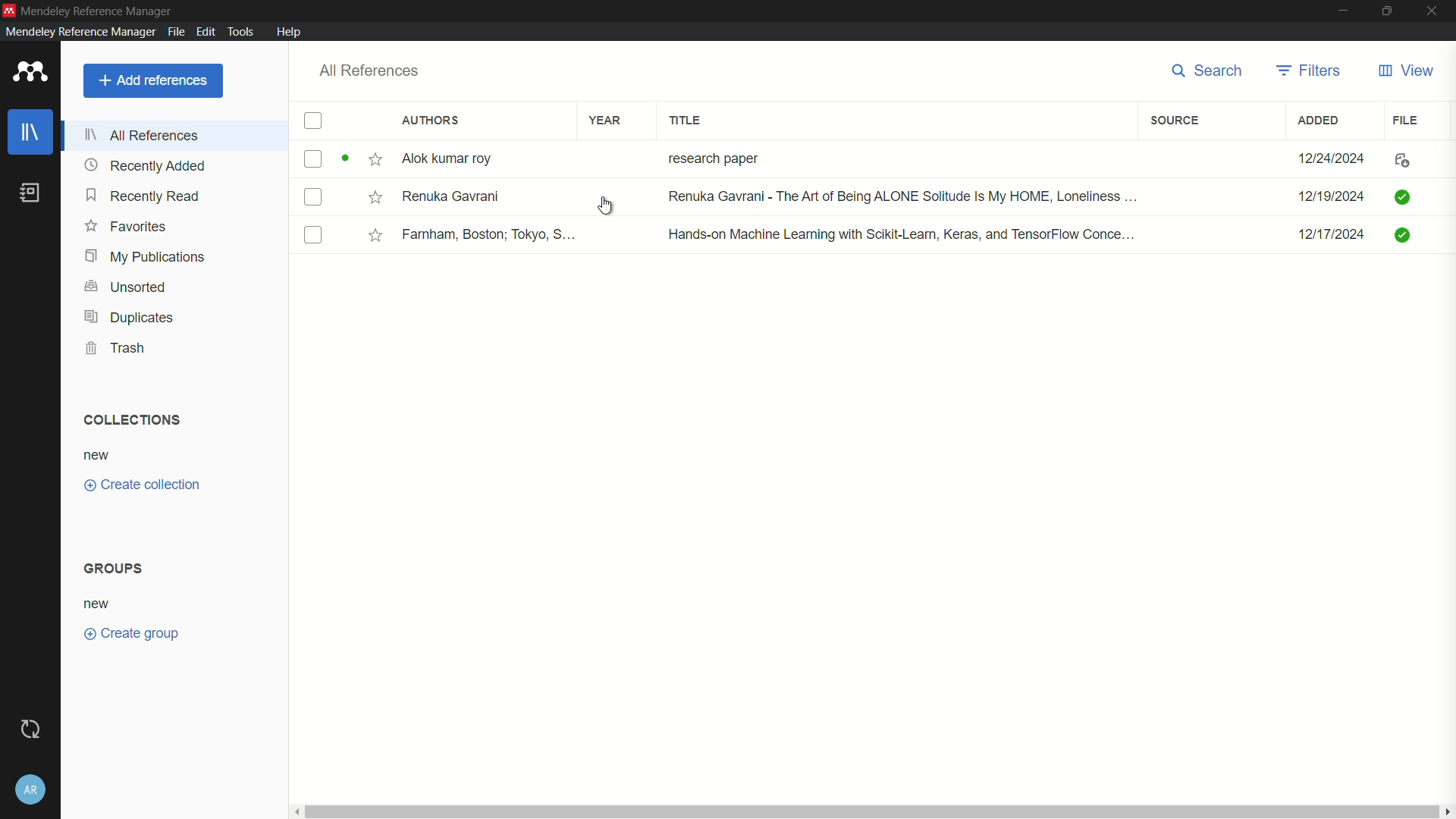  What do you see at coordinates (1332, 159) in the screenshot?
I see `12/24/2024` at bounding box center [1332, 159].